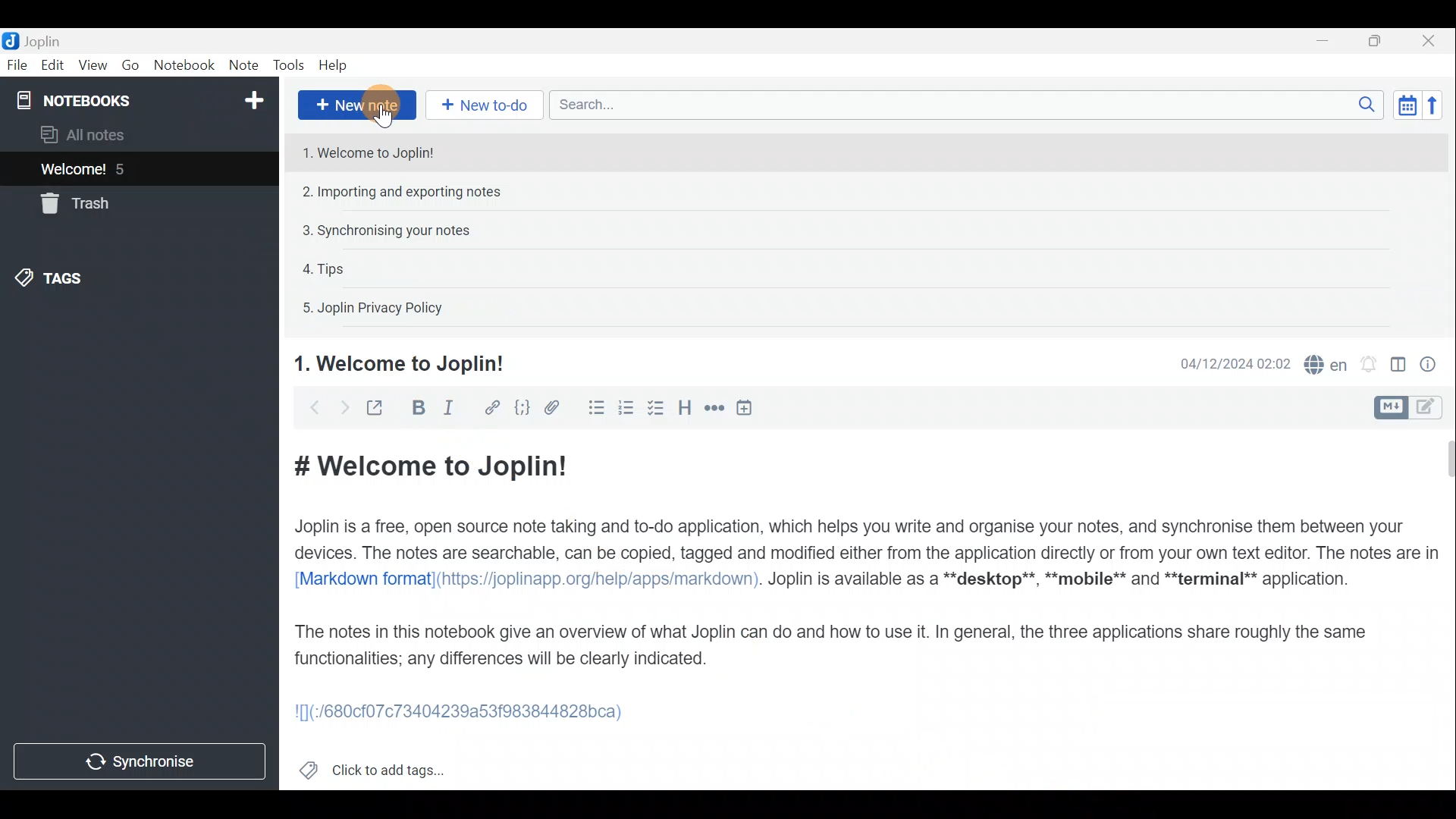  Describe the element at coordinates (342, 407) in the screenshot. I see `Forward` at that location.